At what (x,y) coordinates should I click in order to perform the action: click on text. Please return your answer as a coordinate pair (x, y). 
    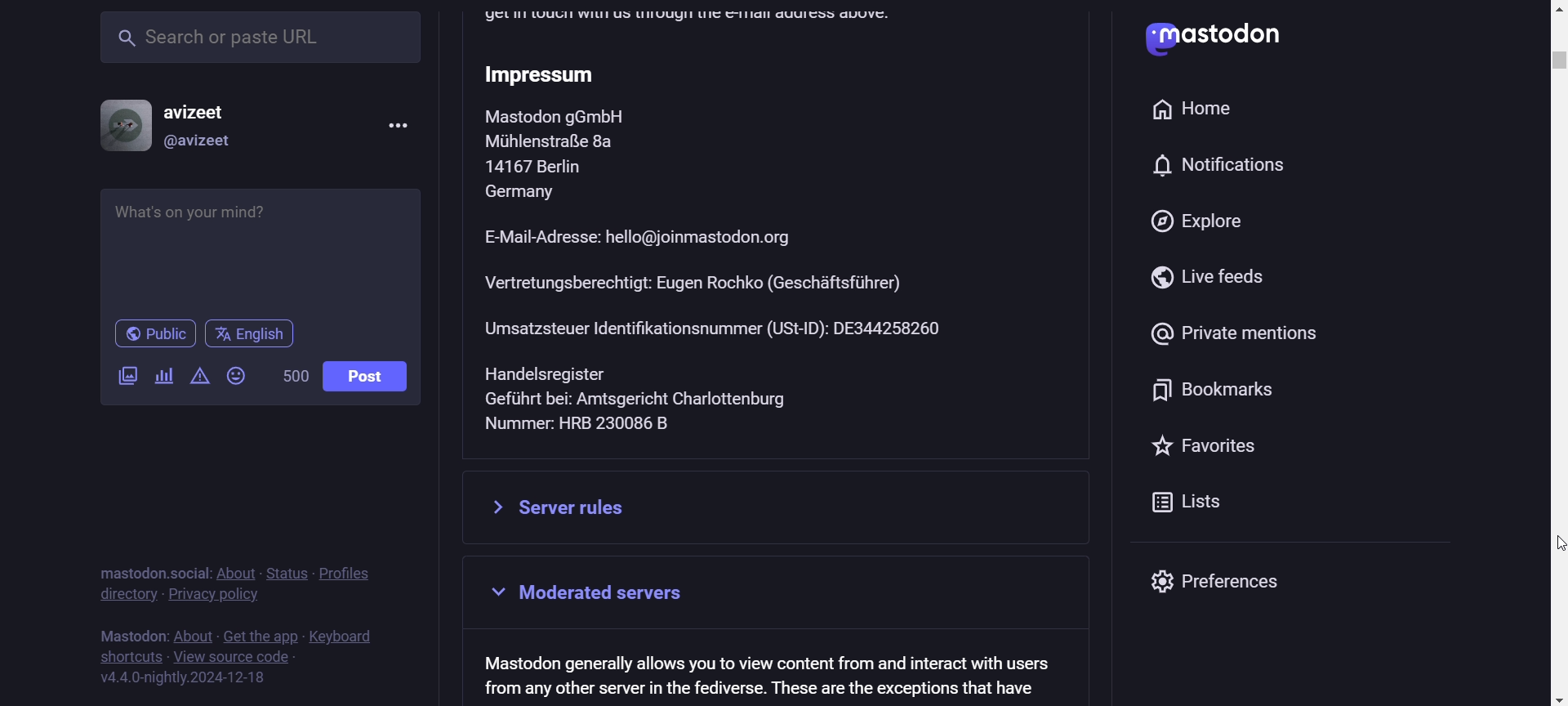
    Looking at the image, I should click on (783, 234).